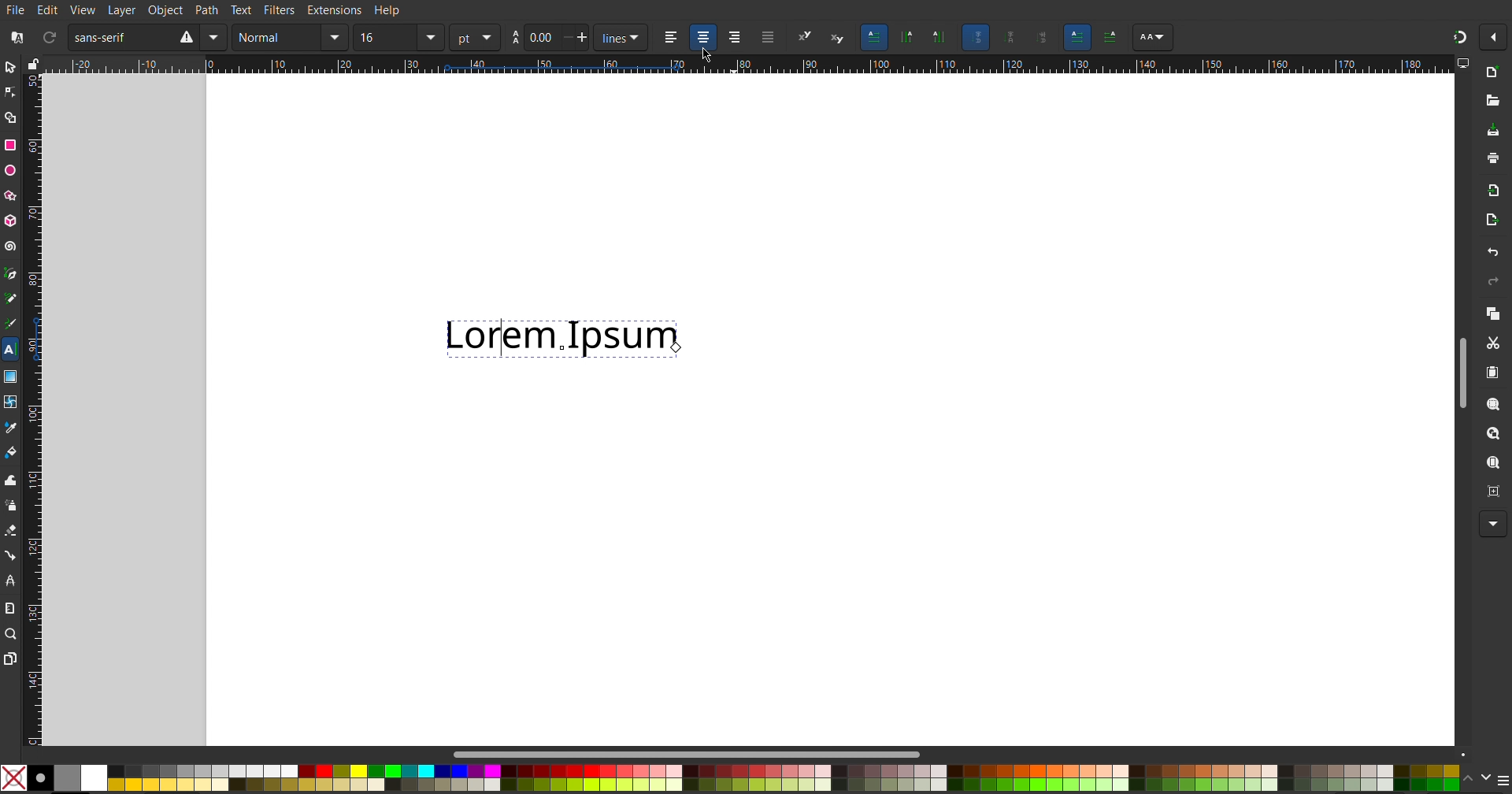  I want to click on Zoom Screen, so click(1495, 462).